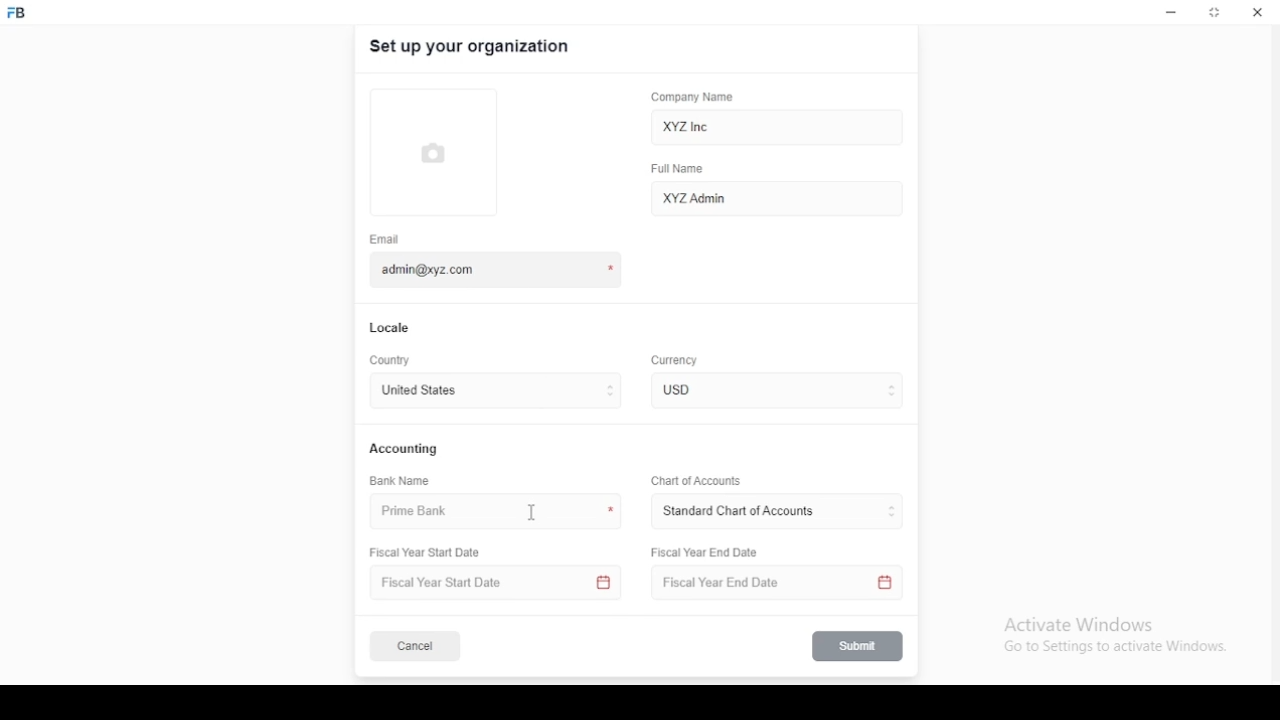 Image resolution: width=1280 pixels, height=720 pixels. What do you see at coordinates (683, 169) in the screenshot?
I see `full name` at bounding box center [683, 169].